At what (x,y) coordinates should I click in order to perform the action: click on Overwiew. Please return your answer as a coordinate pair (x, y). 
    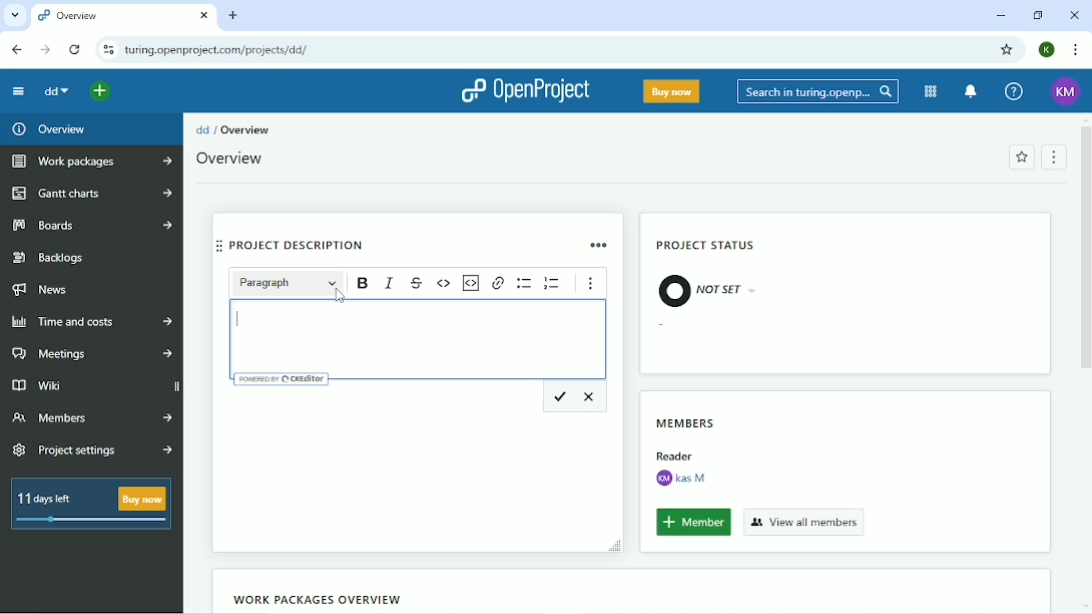
    Looking at the image, I should click on (236, 159).